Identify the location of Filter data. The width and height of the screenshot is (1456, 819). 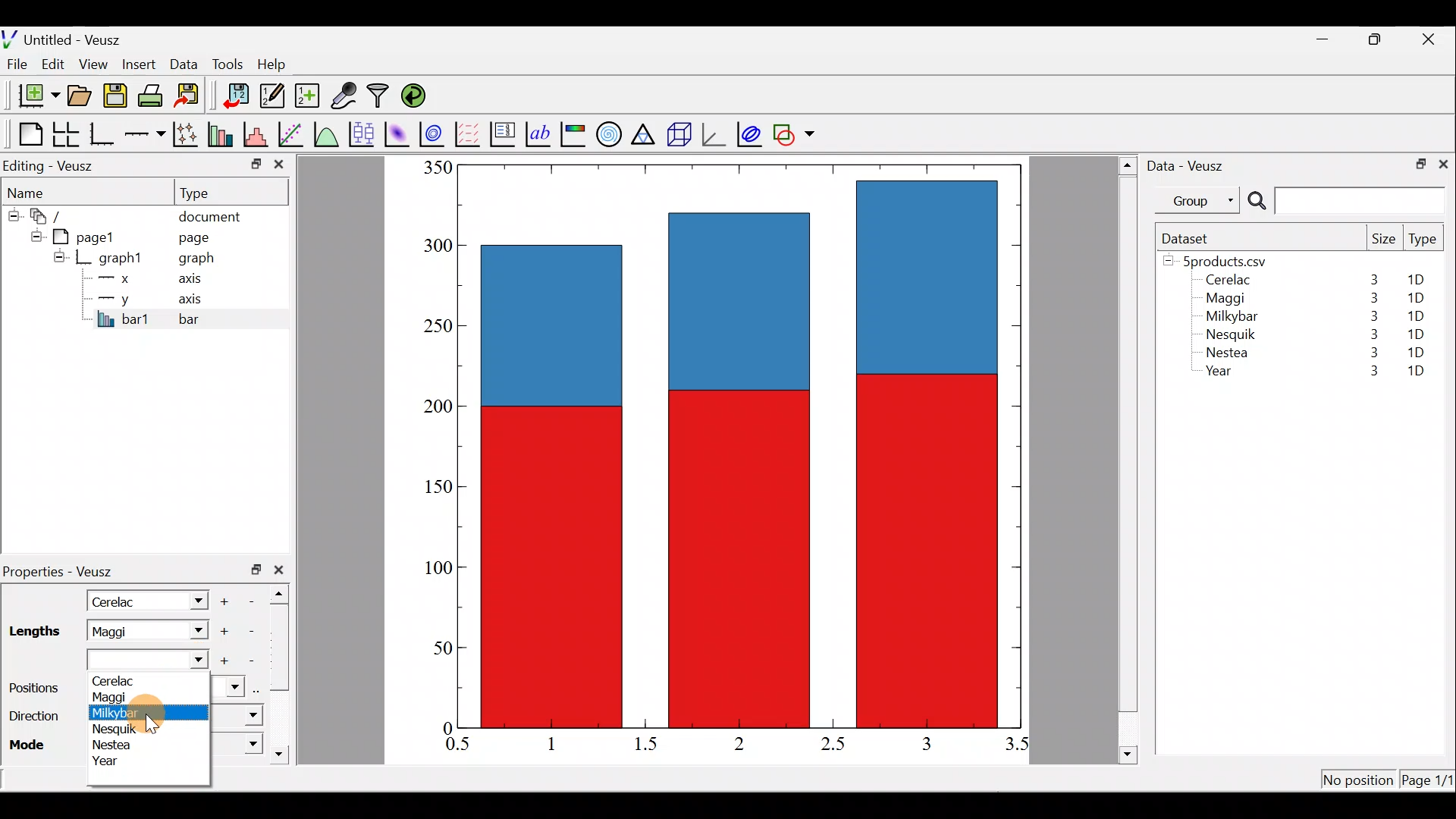
(381, 97).